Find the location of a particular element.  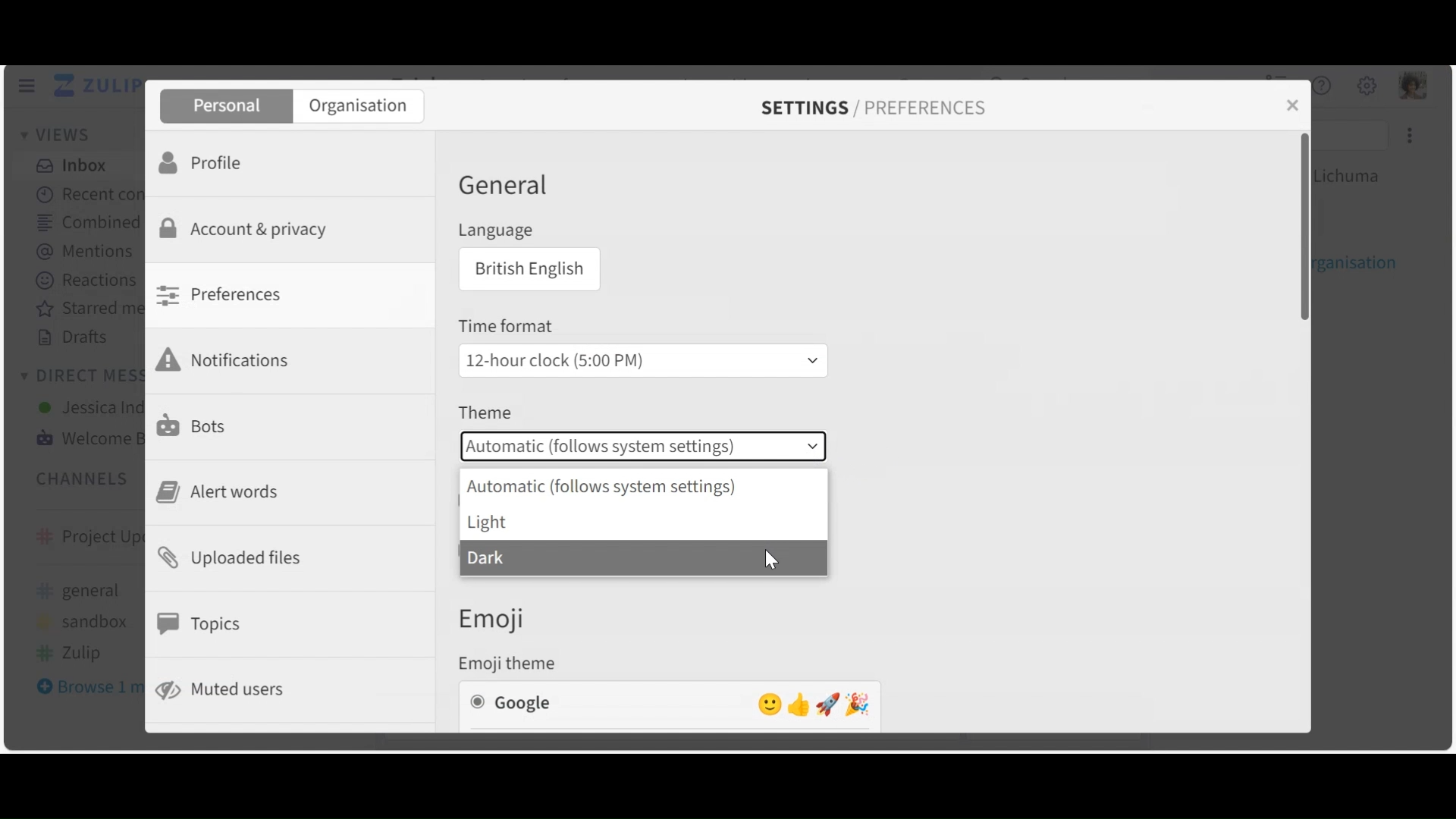

Profile is located at coordinates (202, 164).